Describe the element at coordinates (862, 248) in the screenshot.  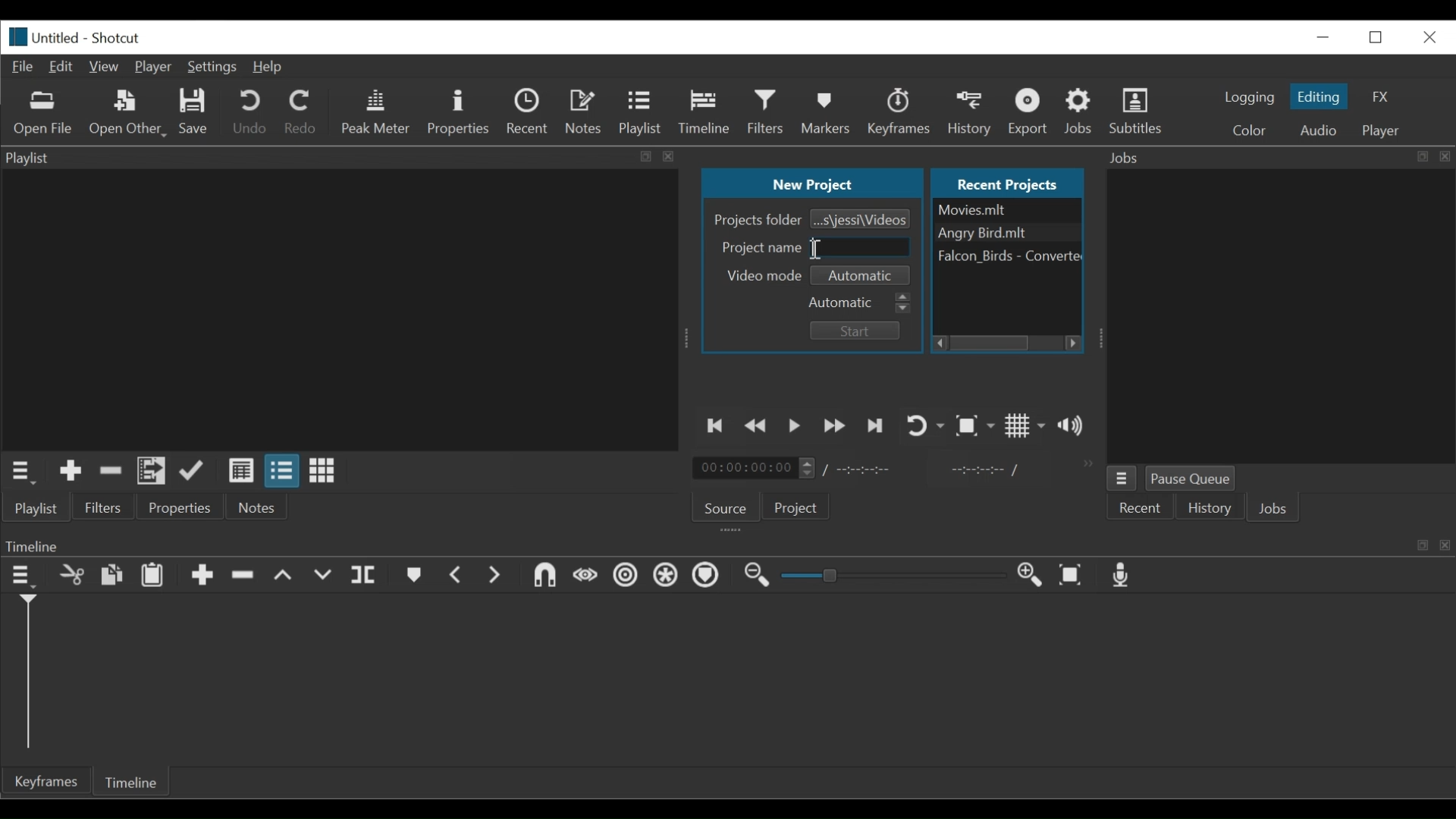
I see `Project Name Field` at that location.